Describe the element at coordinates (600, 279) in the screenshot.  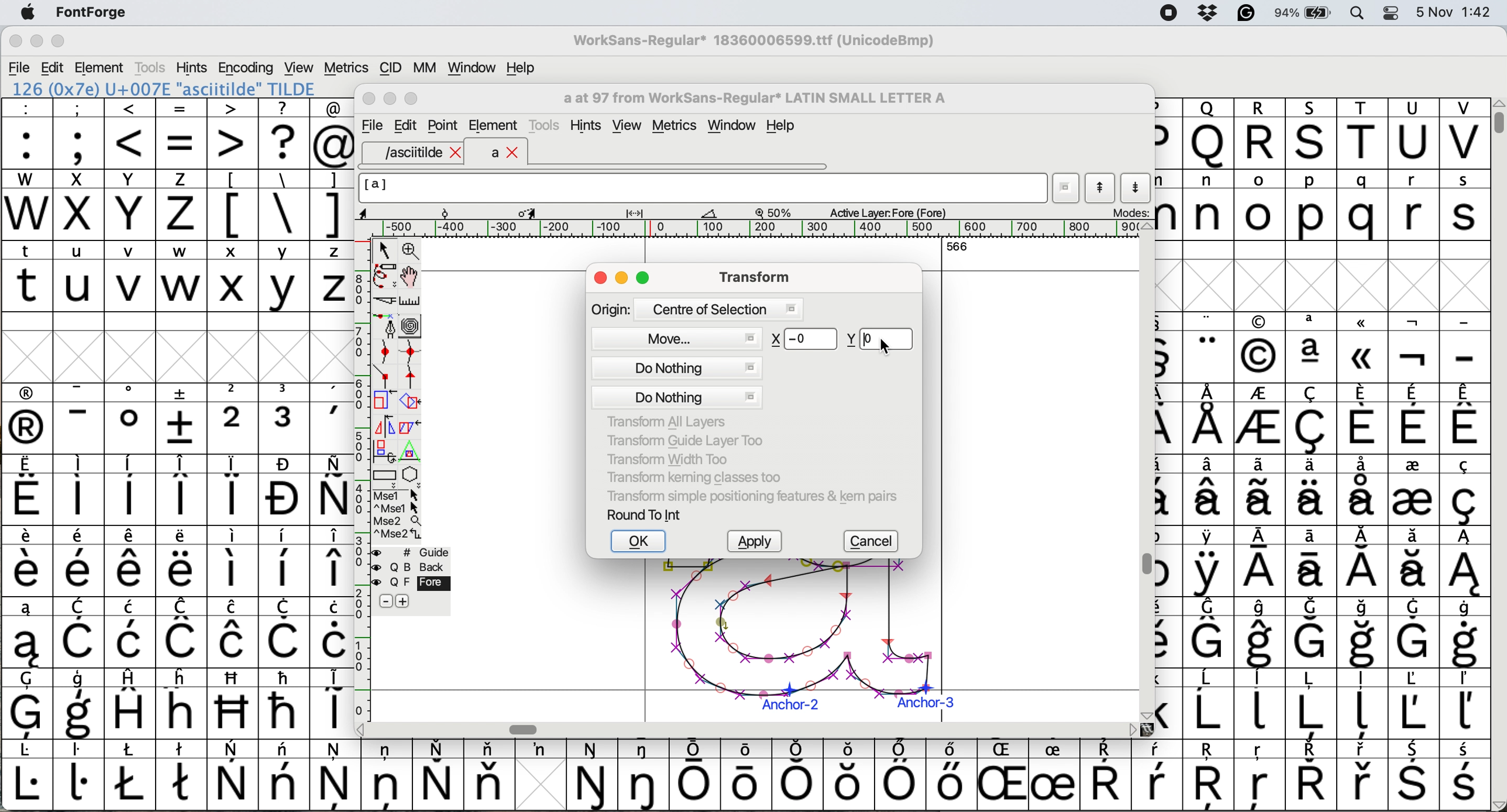
I see `close` at that location.